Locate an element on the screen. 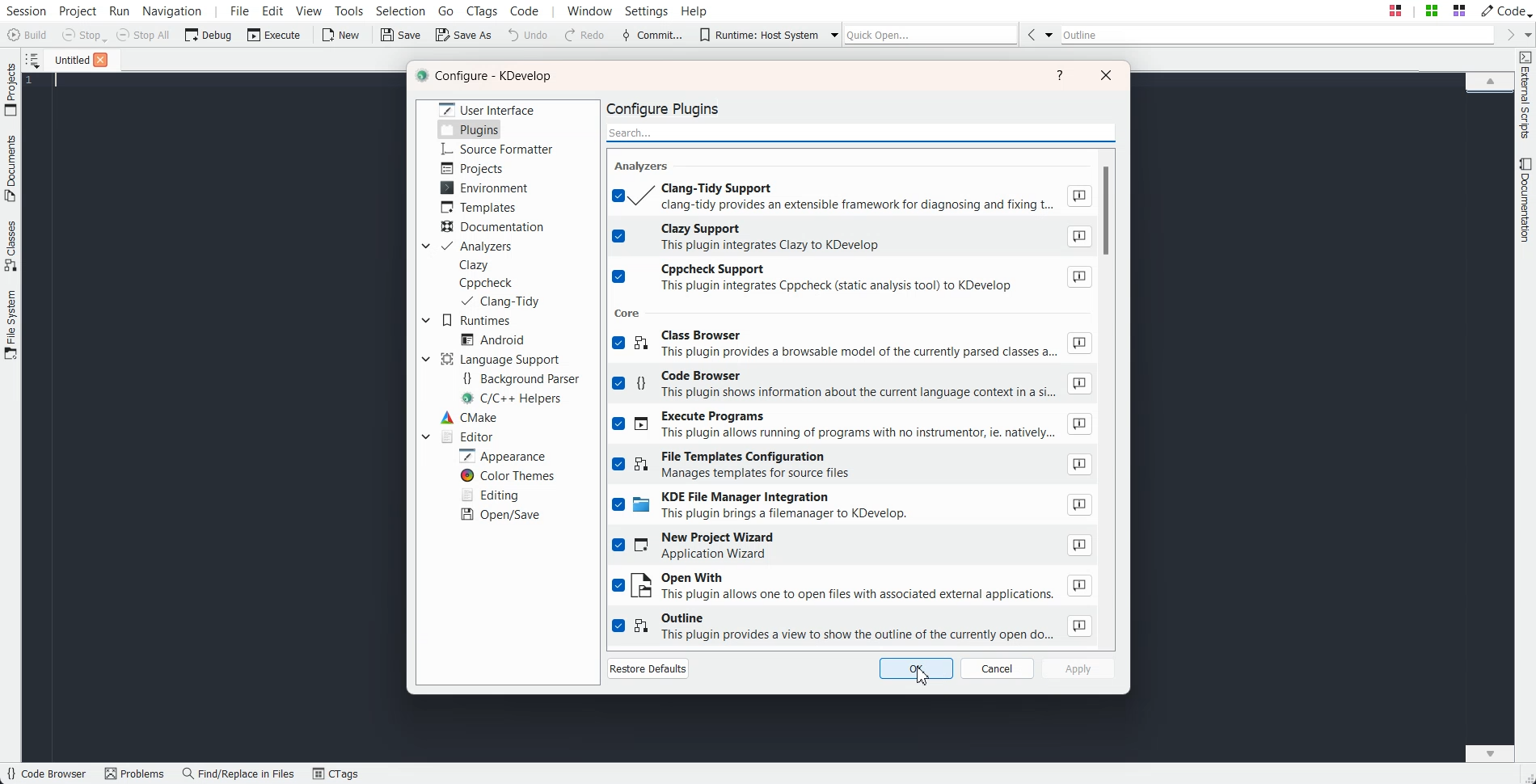 The image size is (1536, 784). Help is located at coordinates (694, 10).